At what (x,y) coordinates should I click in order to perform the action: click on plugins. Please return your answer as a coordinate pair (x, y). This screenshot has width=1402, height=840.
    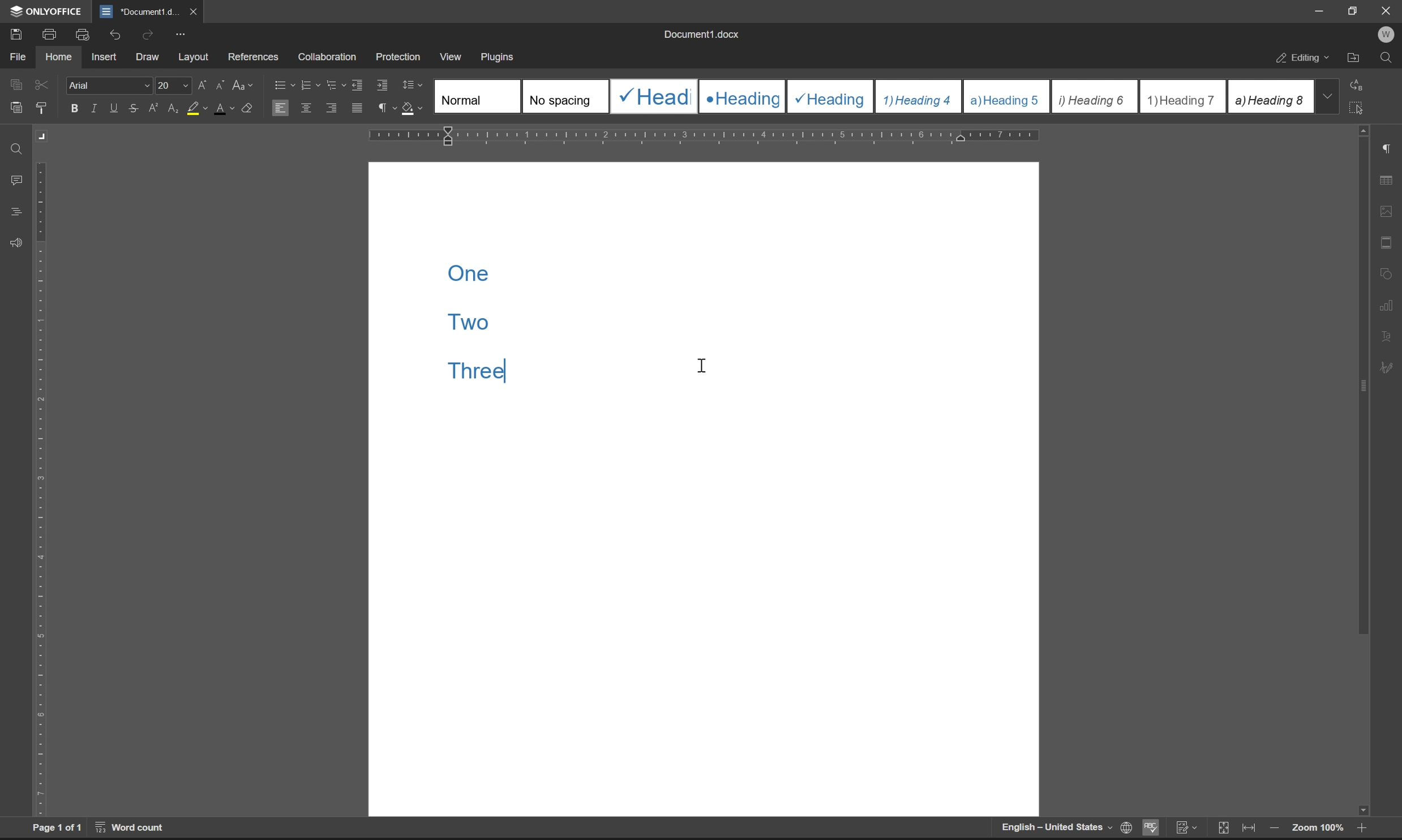
    Looking at the image, I should click on (499, 58).